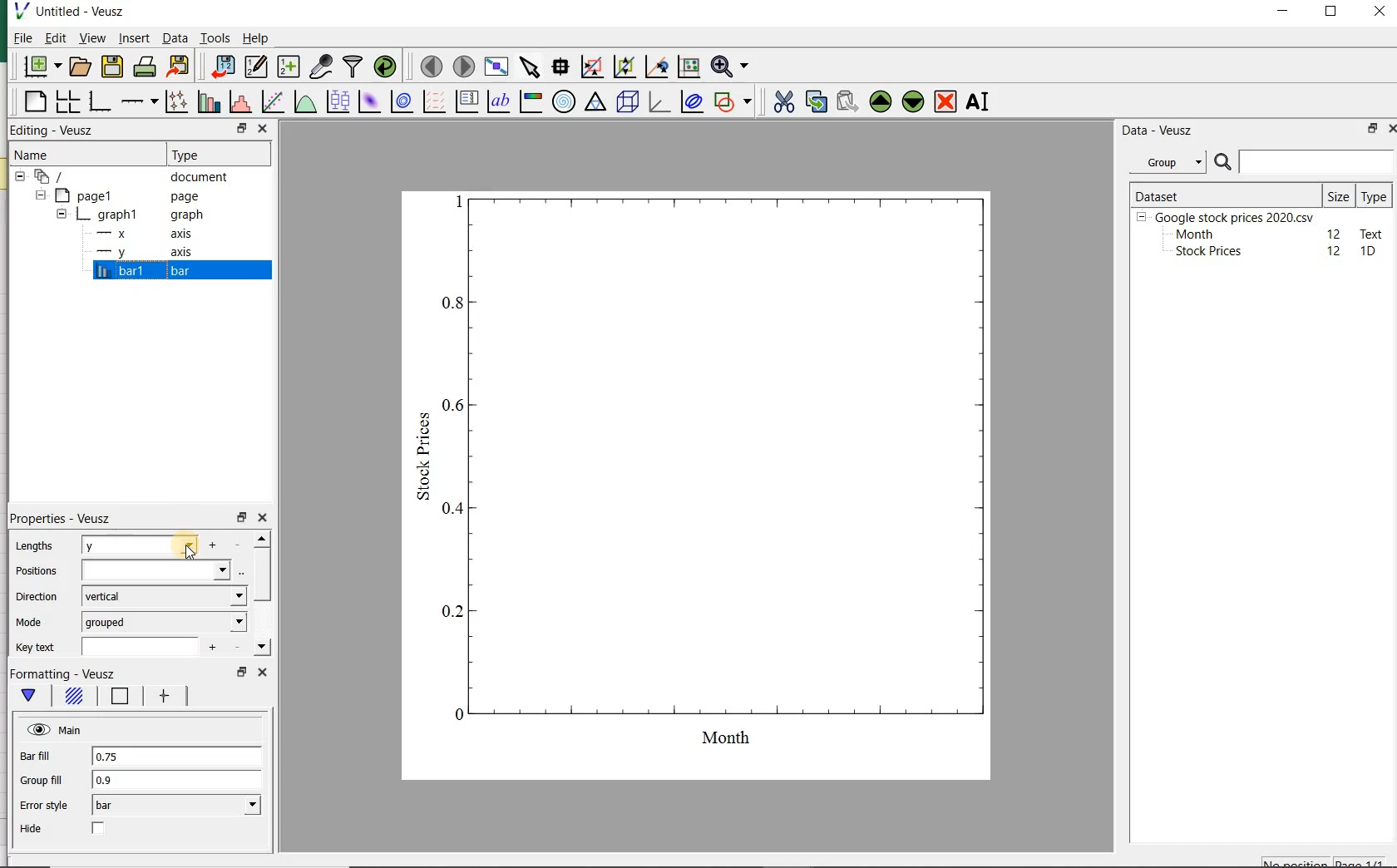 Image resolution: width=1397 pixels, height=868 pixels. What do you see at coordinates (464, 67) in the screenshot?
I see `move to the next page` at bounding box center [464, 67].